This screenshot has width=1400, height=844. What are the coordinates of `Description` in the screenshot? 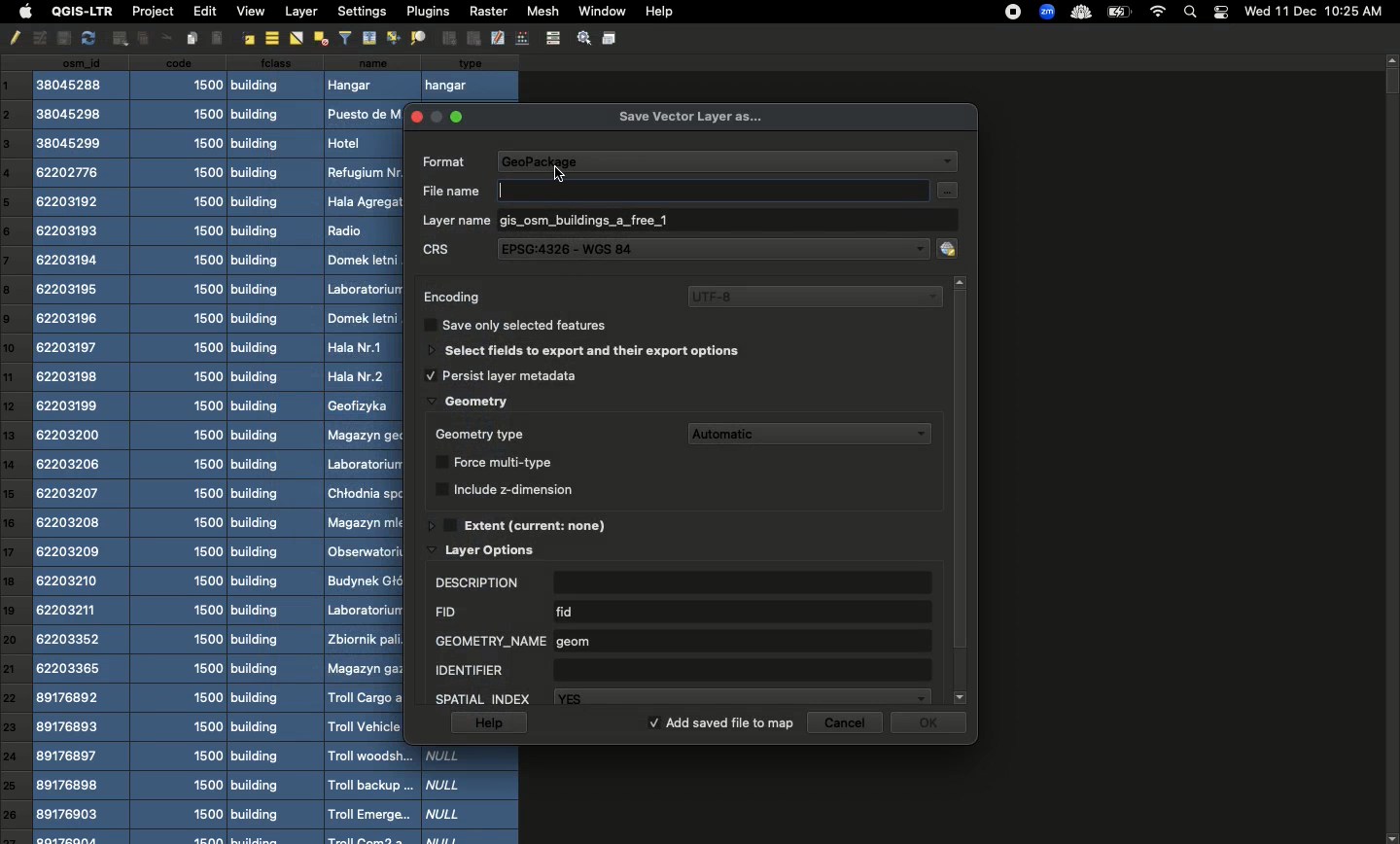 It's located at (680, 583).